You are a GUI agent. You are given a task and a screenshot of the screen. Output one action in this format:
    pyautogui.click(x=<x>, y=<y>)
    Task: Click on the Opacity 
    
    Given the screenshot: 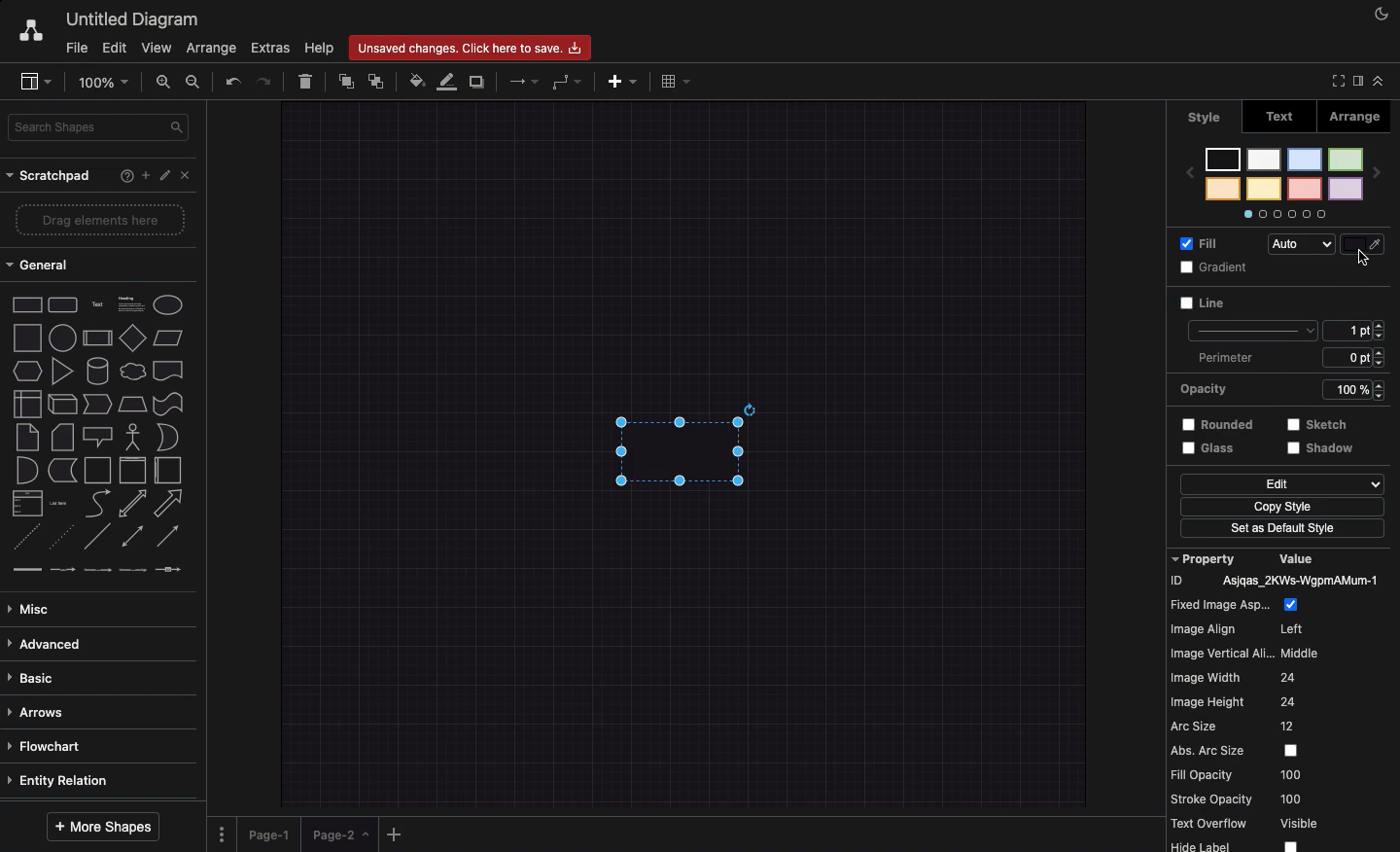 What is the action you would take?
    pyautogui.click(x=1287, y=388)
    